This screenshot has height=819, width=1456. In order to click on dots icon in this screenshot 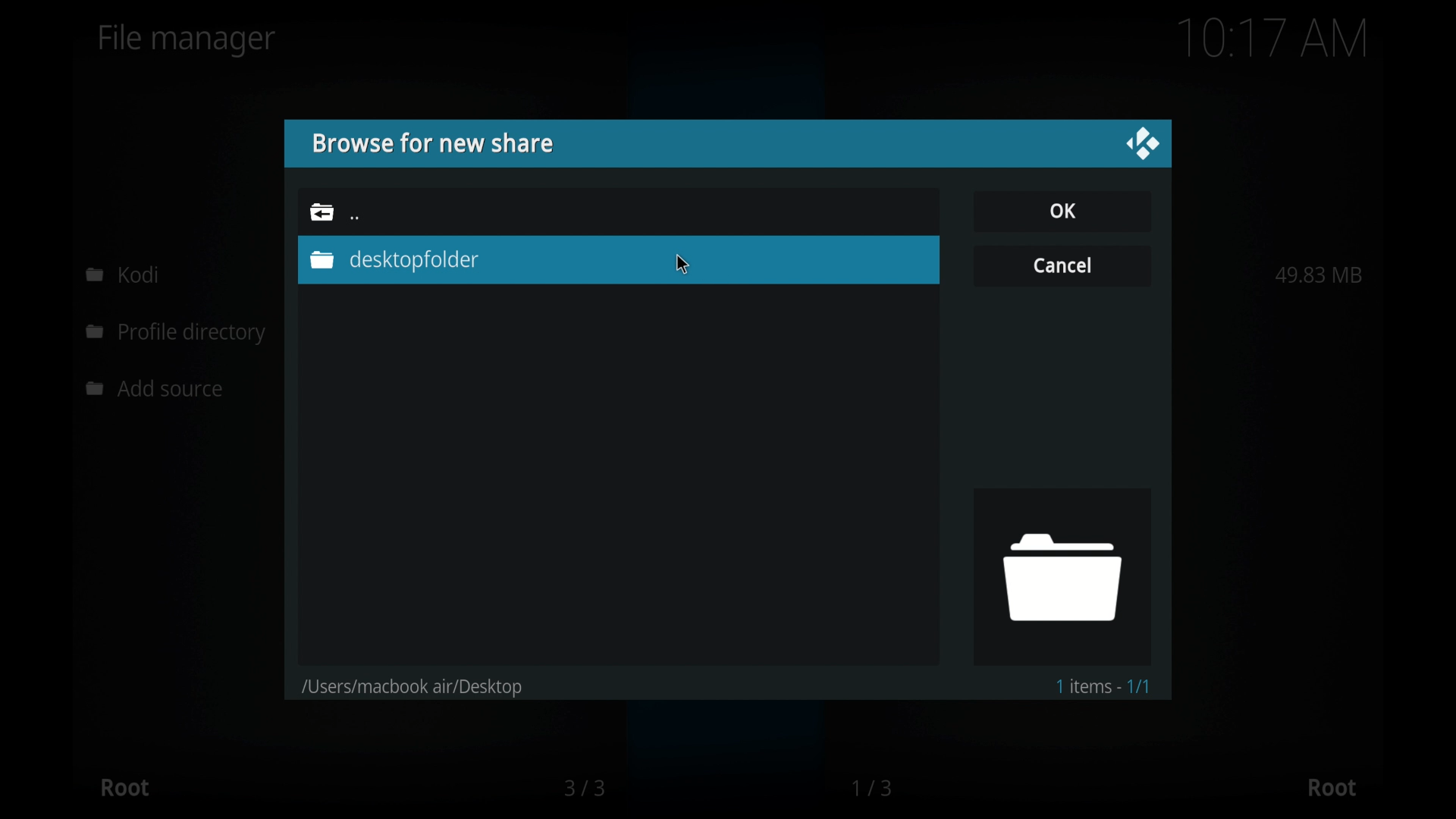, I will do `click(355, 218)`.